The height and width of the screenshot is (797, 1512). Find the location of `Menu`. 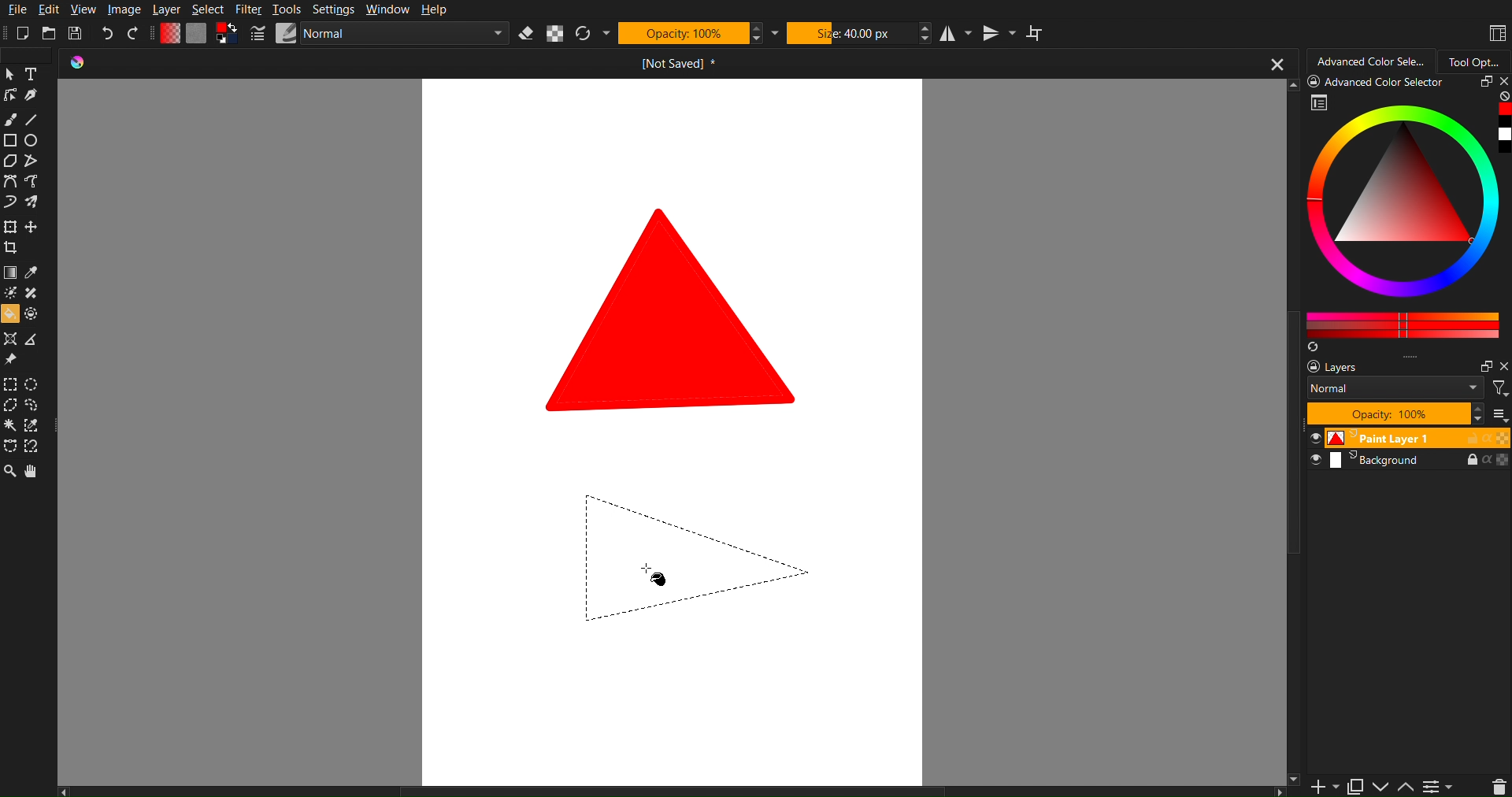

Menu is located at coordinates (1438, 786).